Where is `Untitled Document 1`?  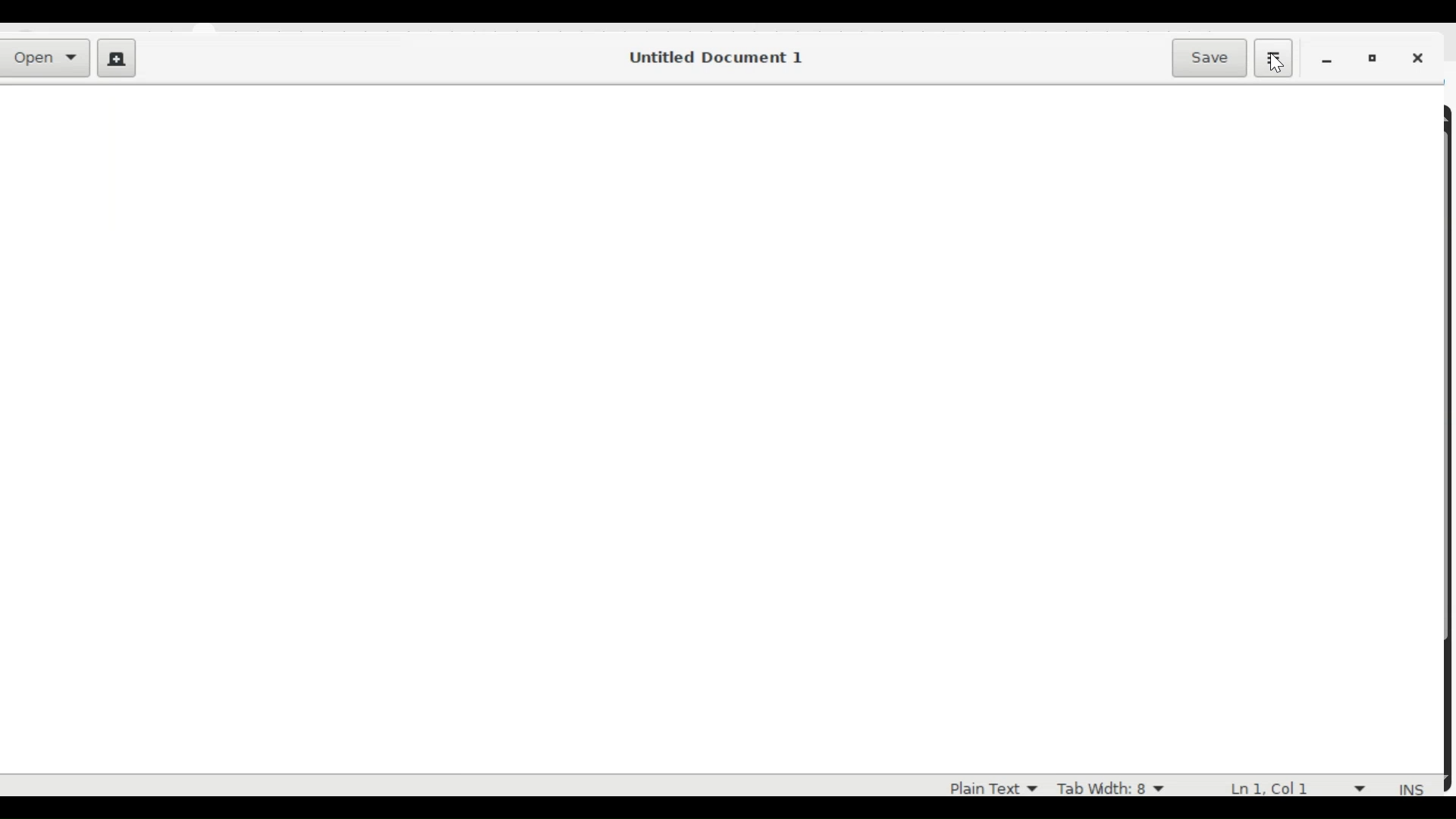 Untitled Document 1 is located at coordinates (714, 58).